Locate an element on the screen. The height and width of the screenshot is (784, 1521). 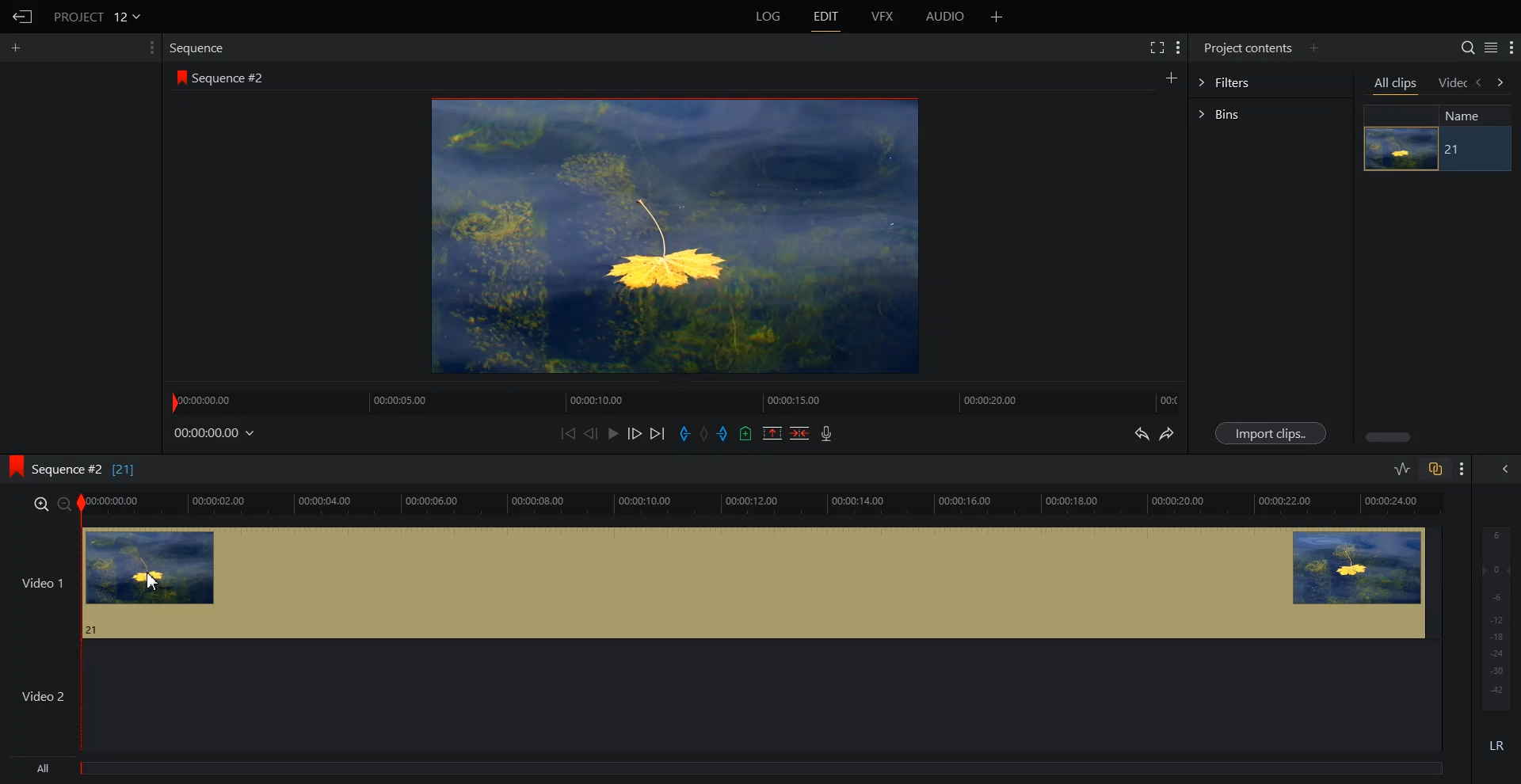
Add Panel is located at coordinates (16, 48).